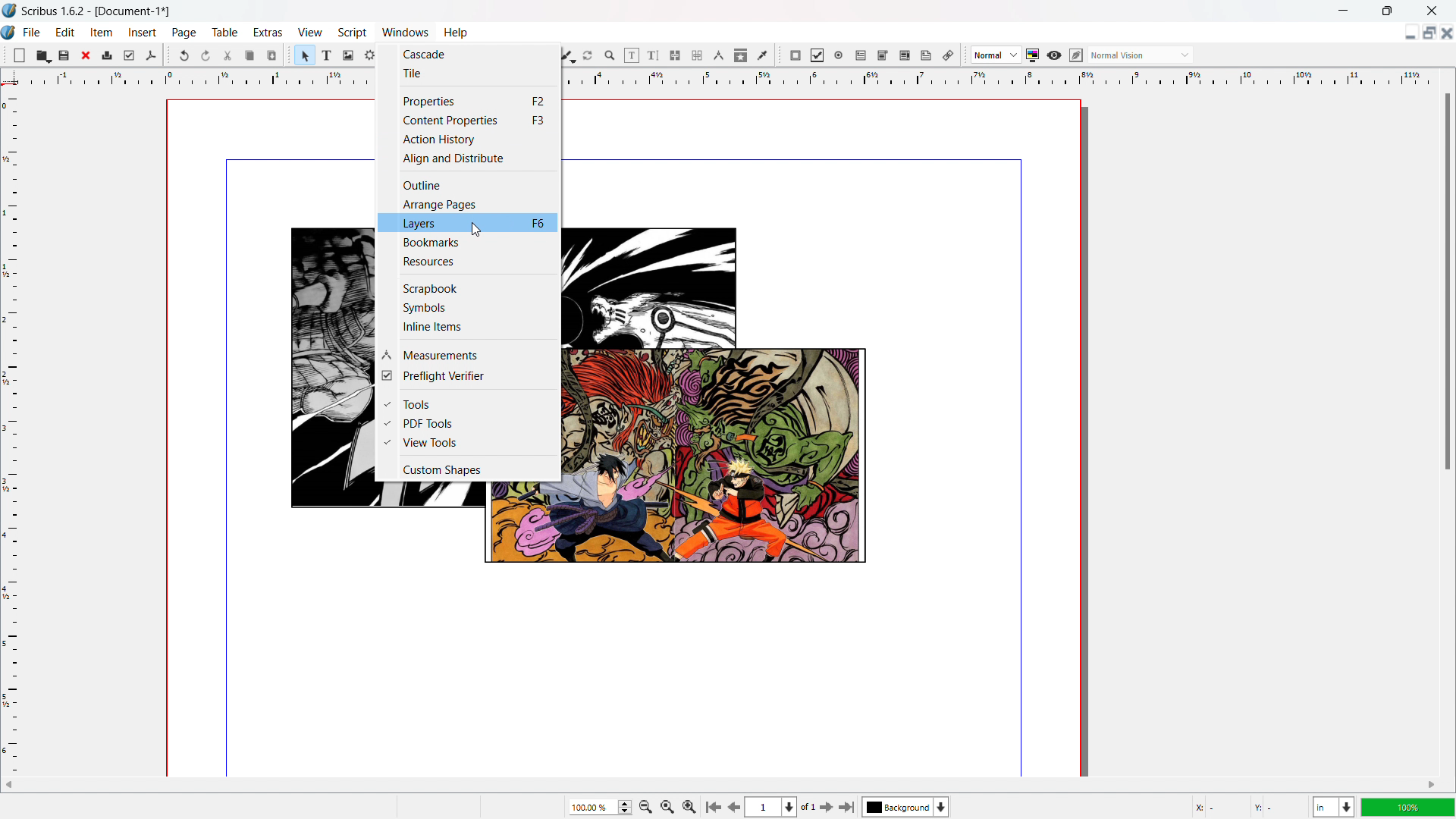 The width and height of the screenshot is (1456, 819). Describe the element at coordinates (734, 805) in the screenshot. I see `go to previous page` at that location.